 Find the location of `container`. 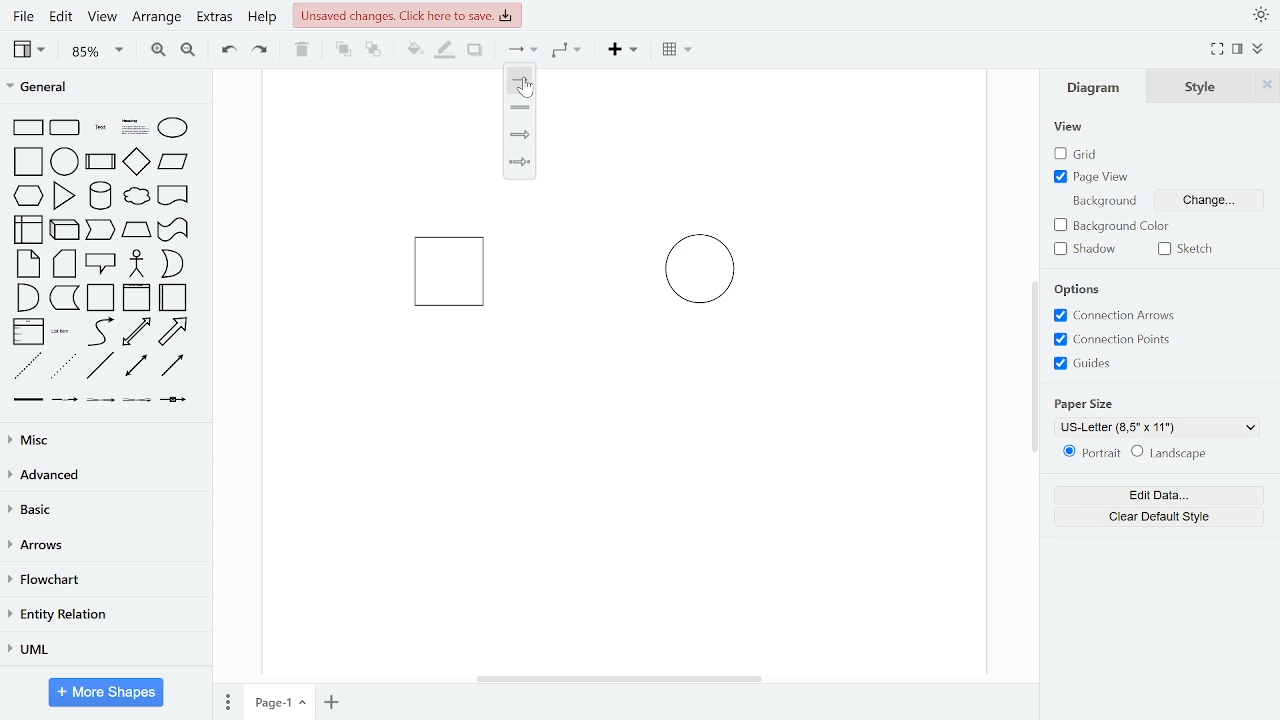

container is located at coordinates (102, 298).